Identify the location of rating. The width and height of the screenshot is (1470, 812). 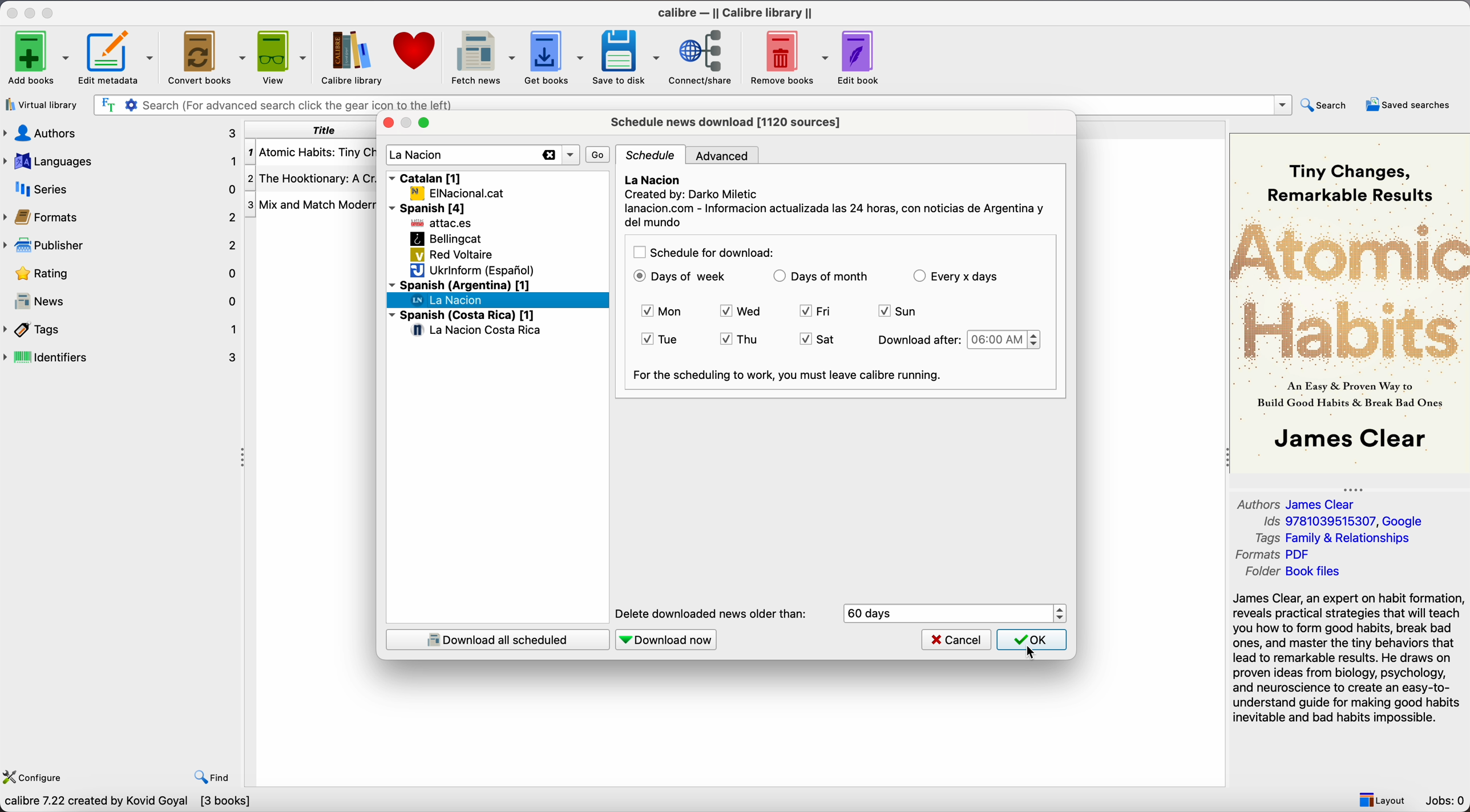
(119, 273).